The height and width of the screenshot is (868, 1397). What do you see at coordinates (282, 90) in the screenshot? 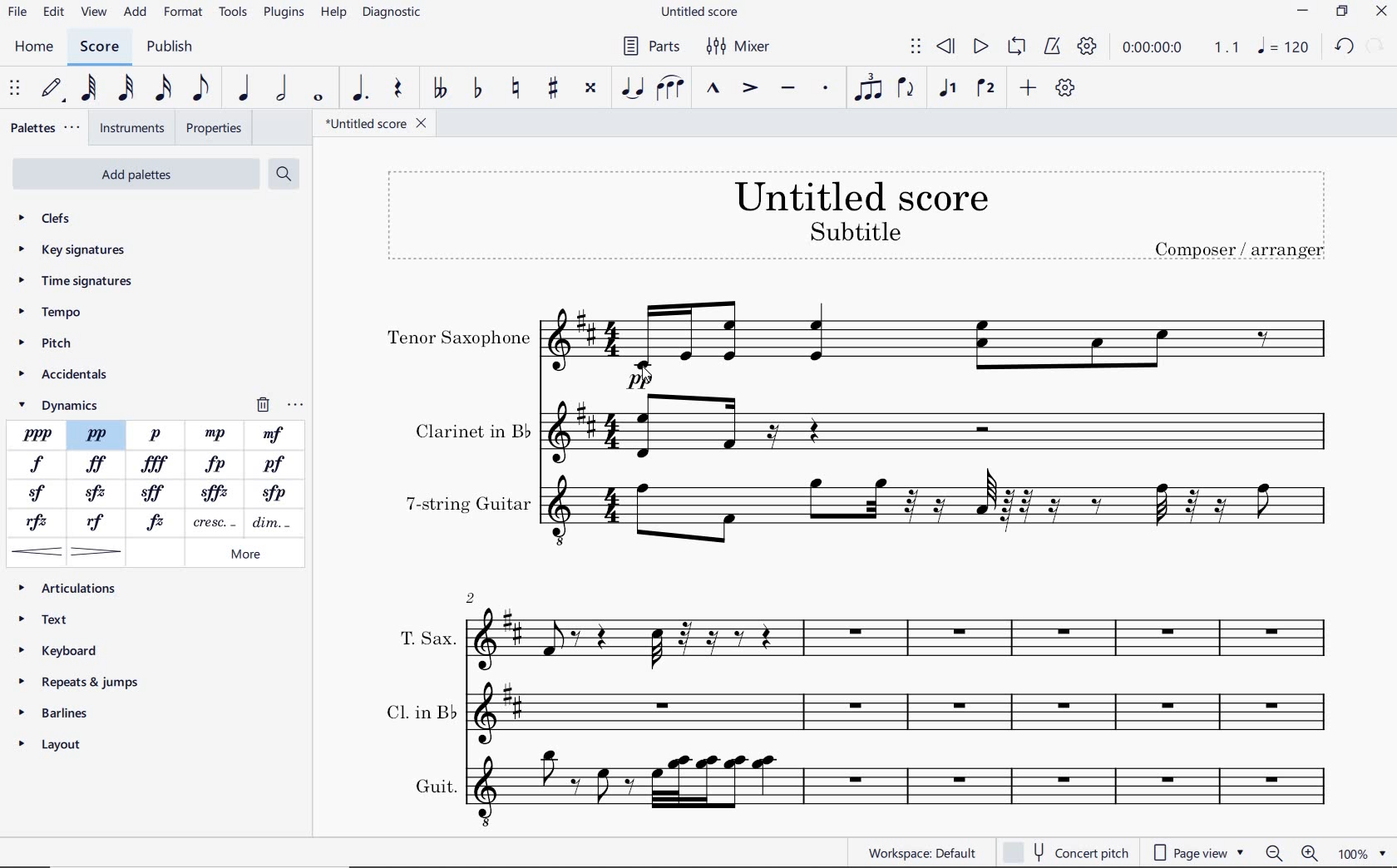
I see `HALF NOTE` at bounding box center [282, 90].